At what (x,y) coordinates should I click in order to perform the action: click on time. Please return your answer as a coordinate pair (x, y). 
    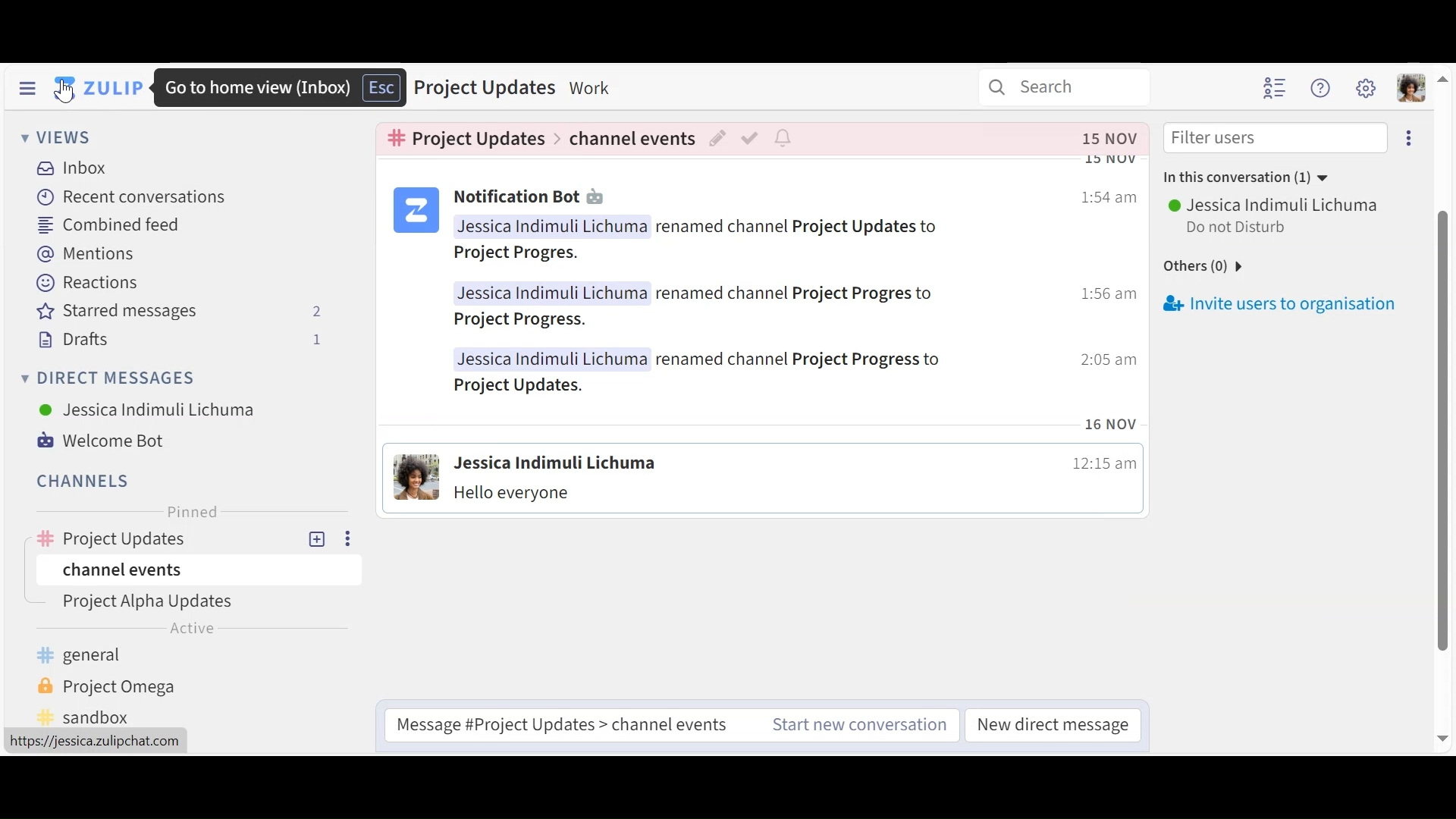
    Looking at the image, I should click on (1098, 198).